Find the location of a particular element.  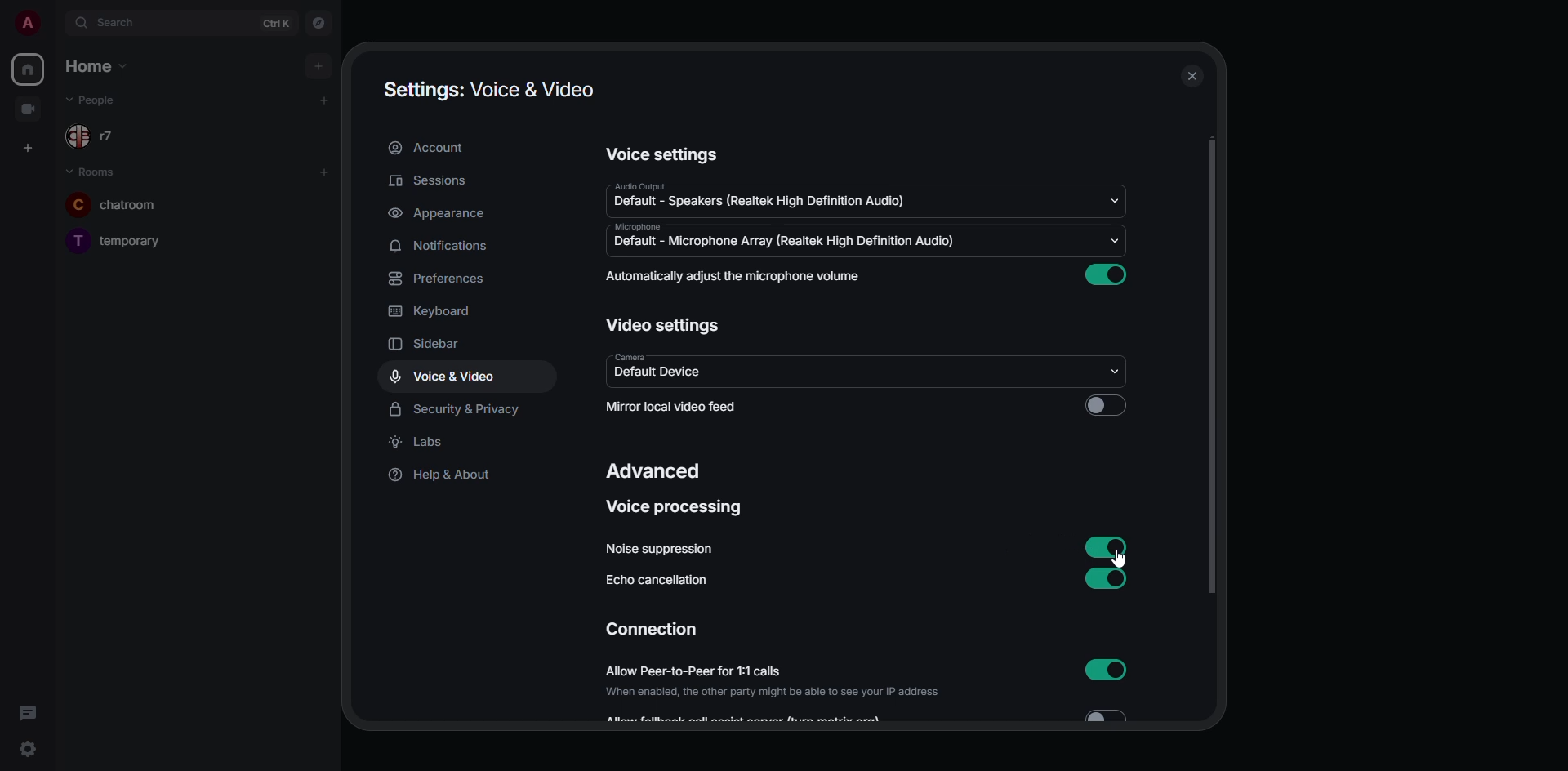

appearance is located at coordinates (439, 215).